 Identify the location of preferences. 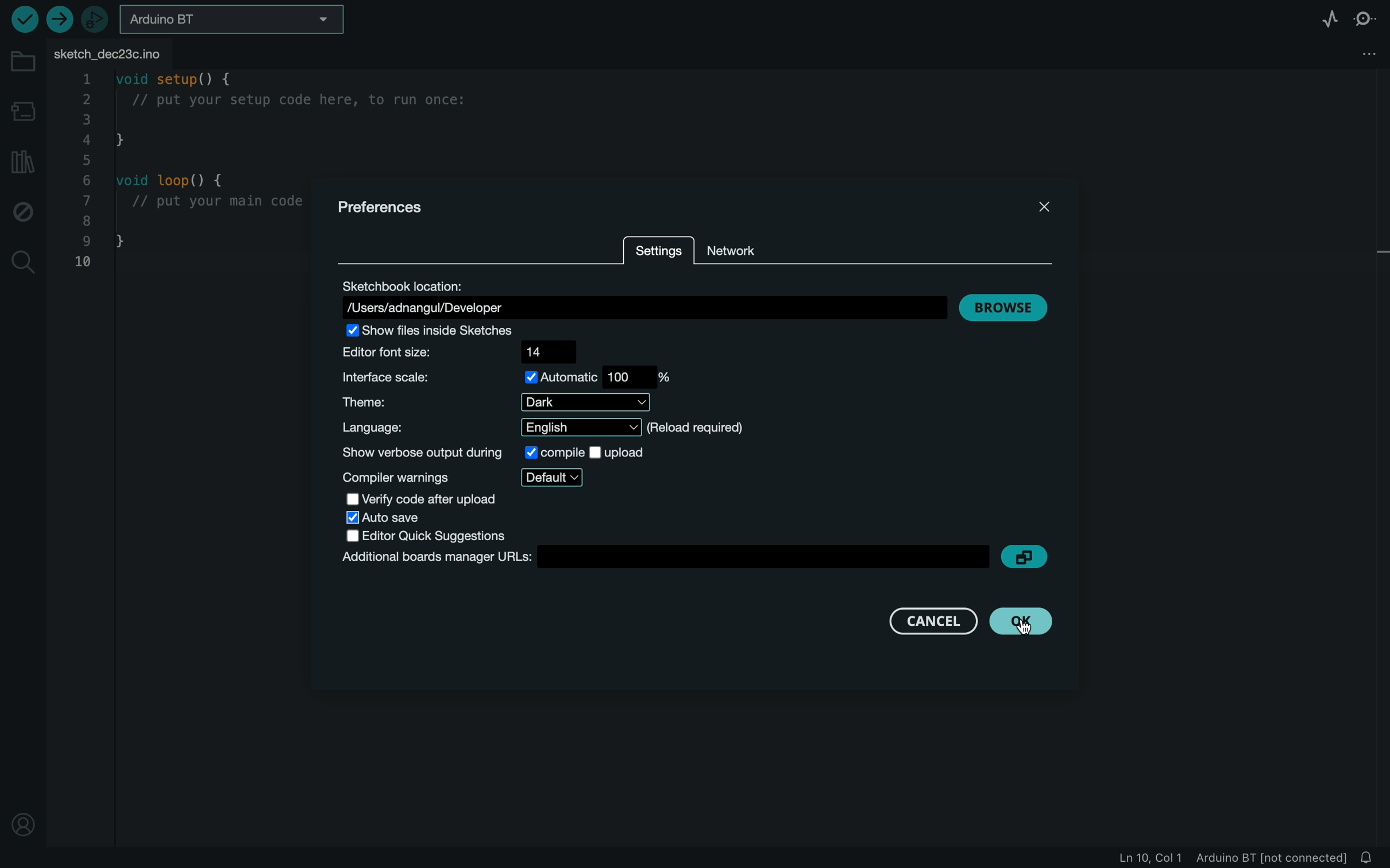
(384, 207).